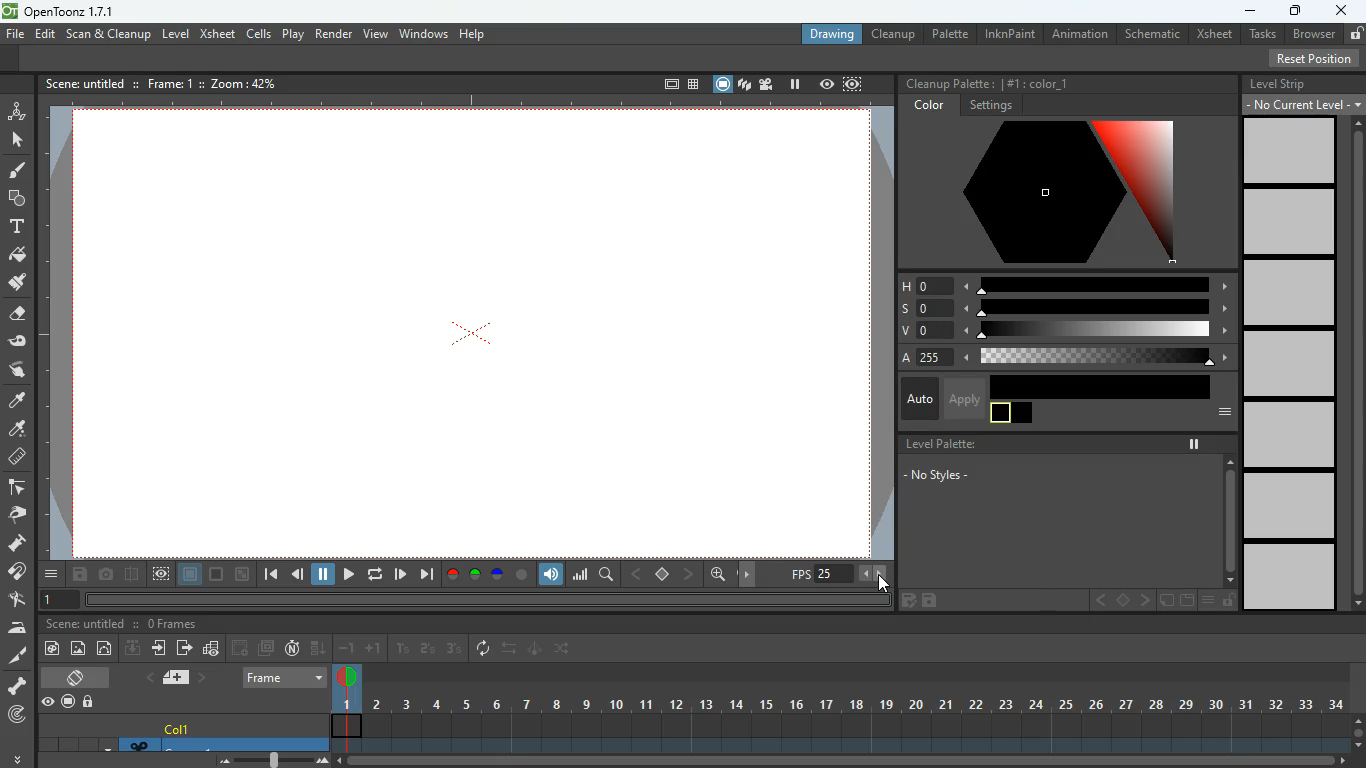  Describe the element at coordinates (665, 574) in the screenshot. I see `center` at that location.